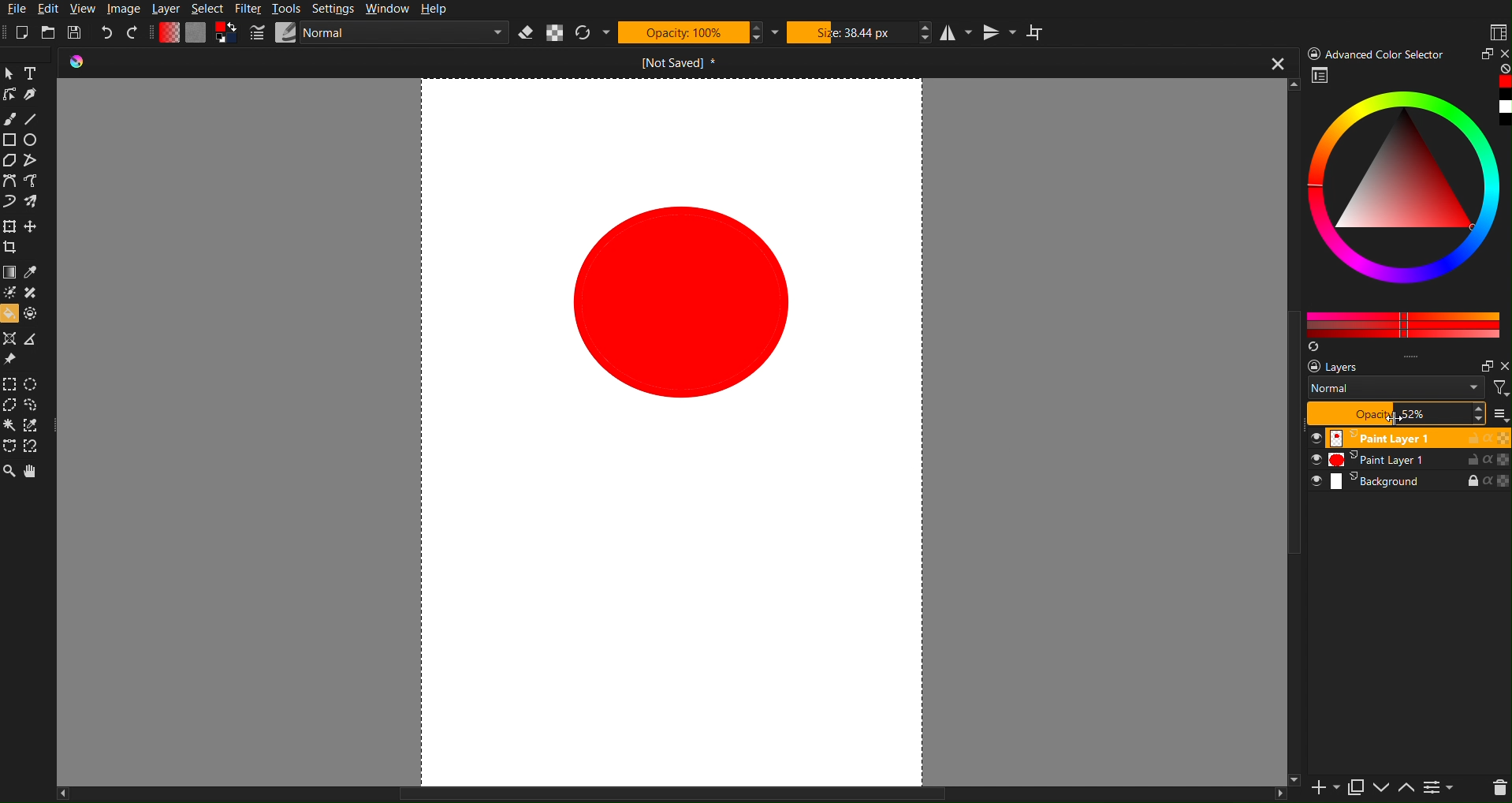 The image size is (1512, 803). What do you see at coordinates (437, 9) in the screenshot?
I see `Help` at bounding box center [437, 9].